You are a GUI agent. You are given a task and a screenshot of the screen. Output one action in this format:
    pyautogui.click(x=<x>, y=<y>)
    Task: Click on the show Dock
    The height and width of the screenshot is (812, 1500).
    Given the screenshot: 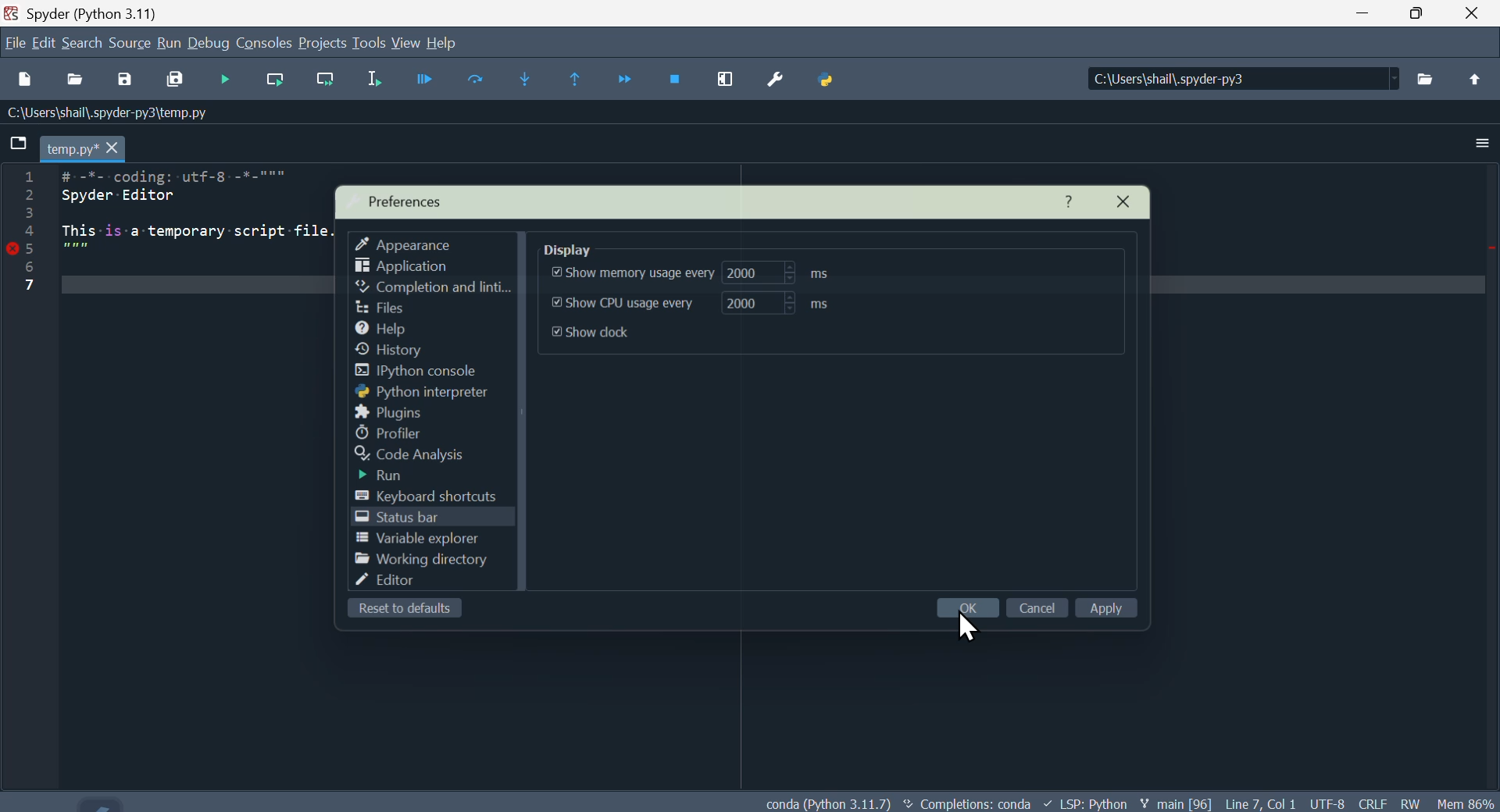 What is the action you would take?
    pyautogui.click(x=609, y=336)
    